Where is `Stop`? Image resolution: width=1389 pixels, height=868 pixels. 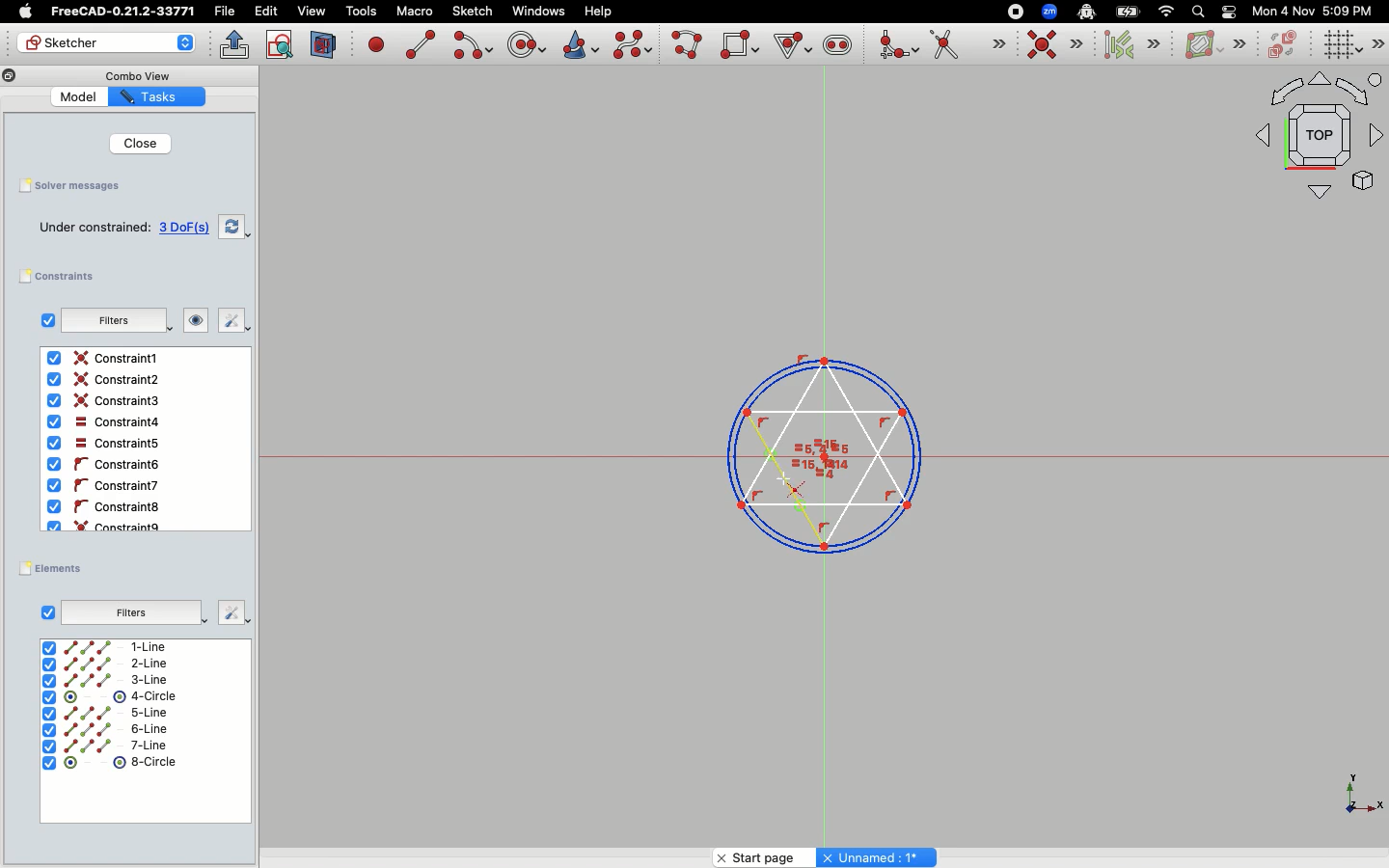
Stop is located at coordinates (1011, 11).